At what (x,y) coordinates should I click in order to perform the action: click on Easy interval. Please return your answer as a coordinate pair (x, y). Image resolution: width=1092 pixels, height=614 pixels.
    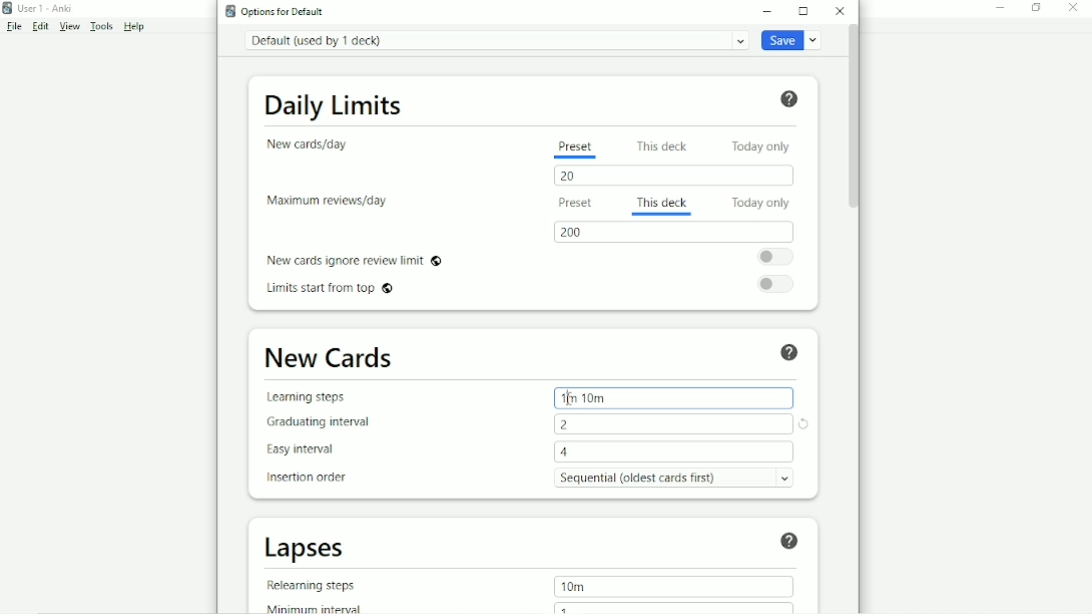
    Looking at the image, I should click on (307, 449).